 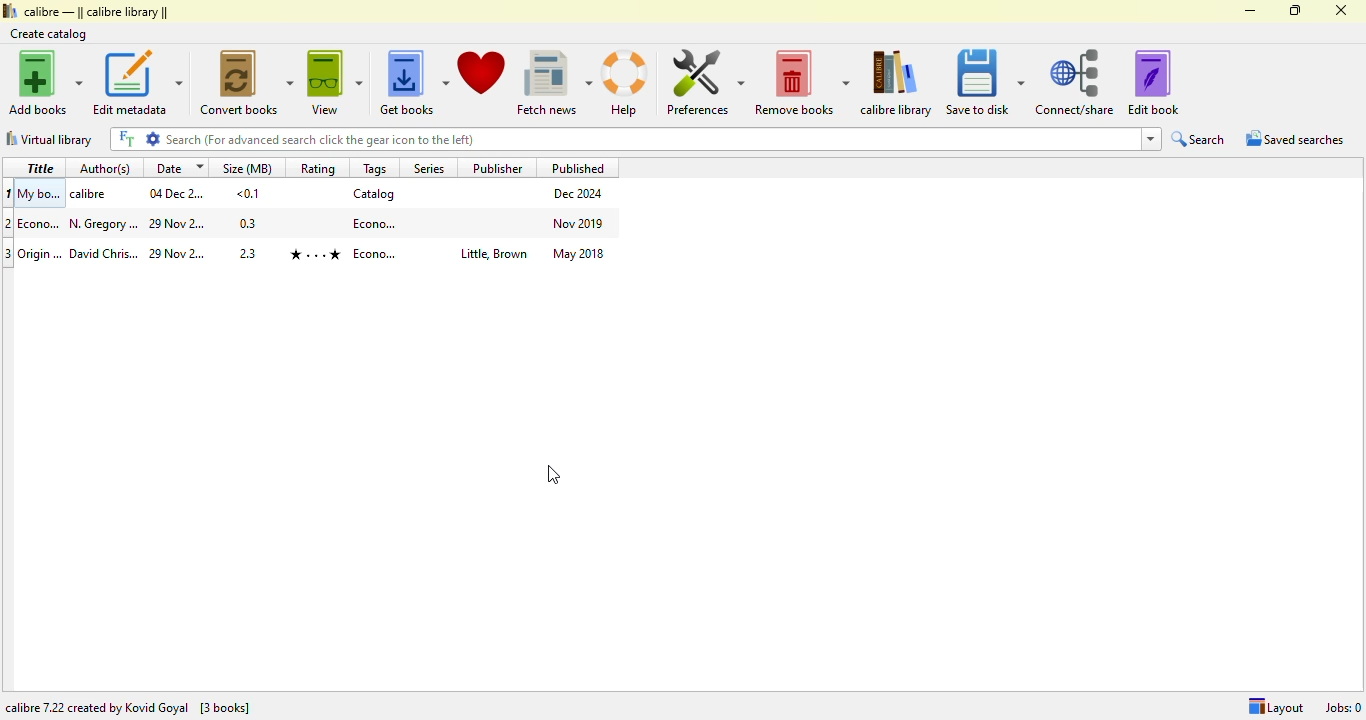 What do you see at coordinates (584, 192) in the screenshot?
I see `Dec 2024` at bounding box center [584, 192].